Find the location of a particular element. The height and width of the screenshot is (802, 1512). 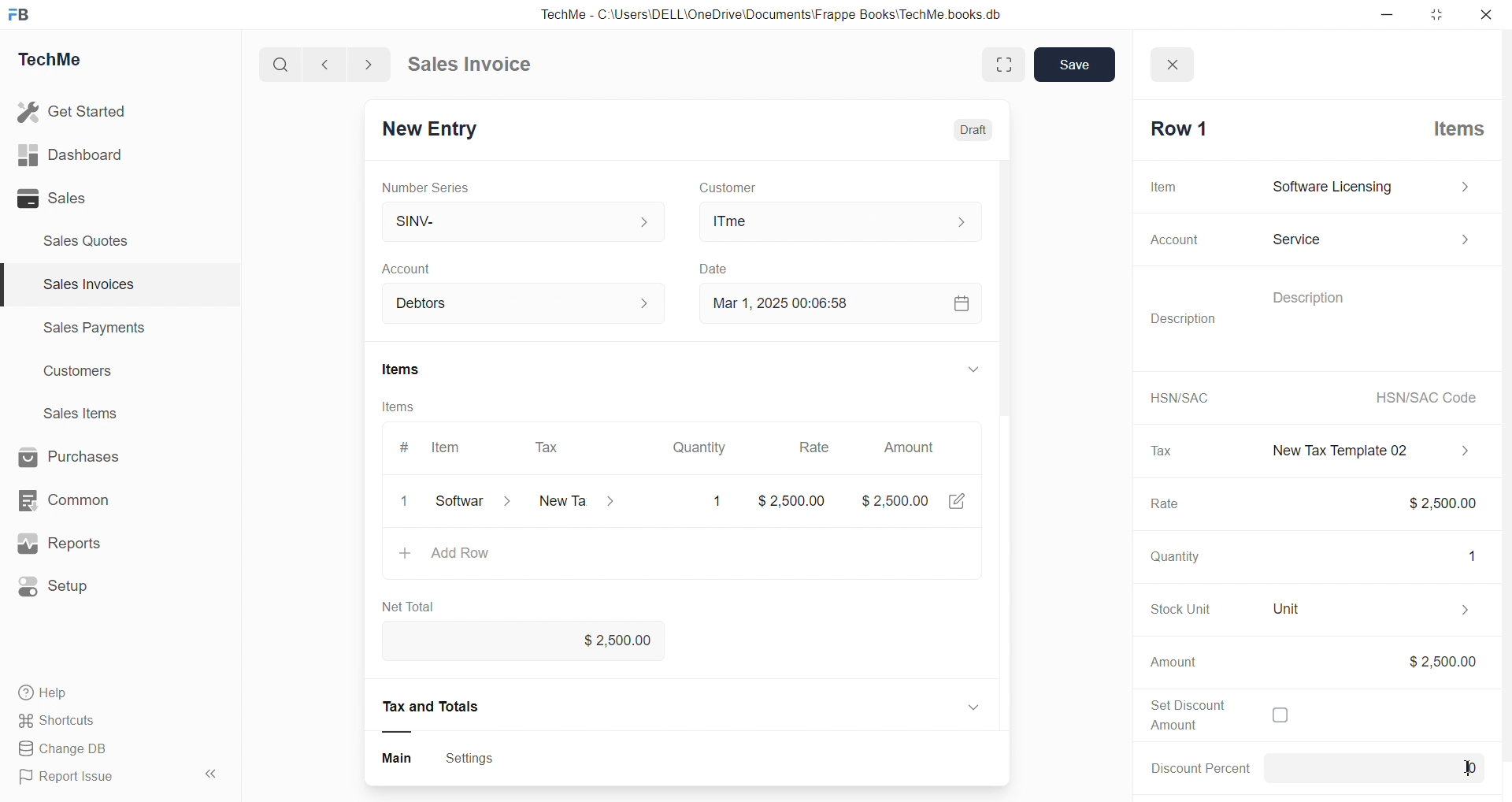

New Tax Template 02 > is located at coordinates (1362, 448).